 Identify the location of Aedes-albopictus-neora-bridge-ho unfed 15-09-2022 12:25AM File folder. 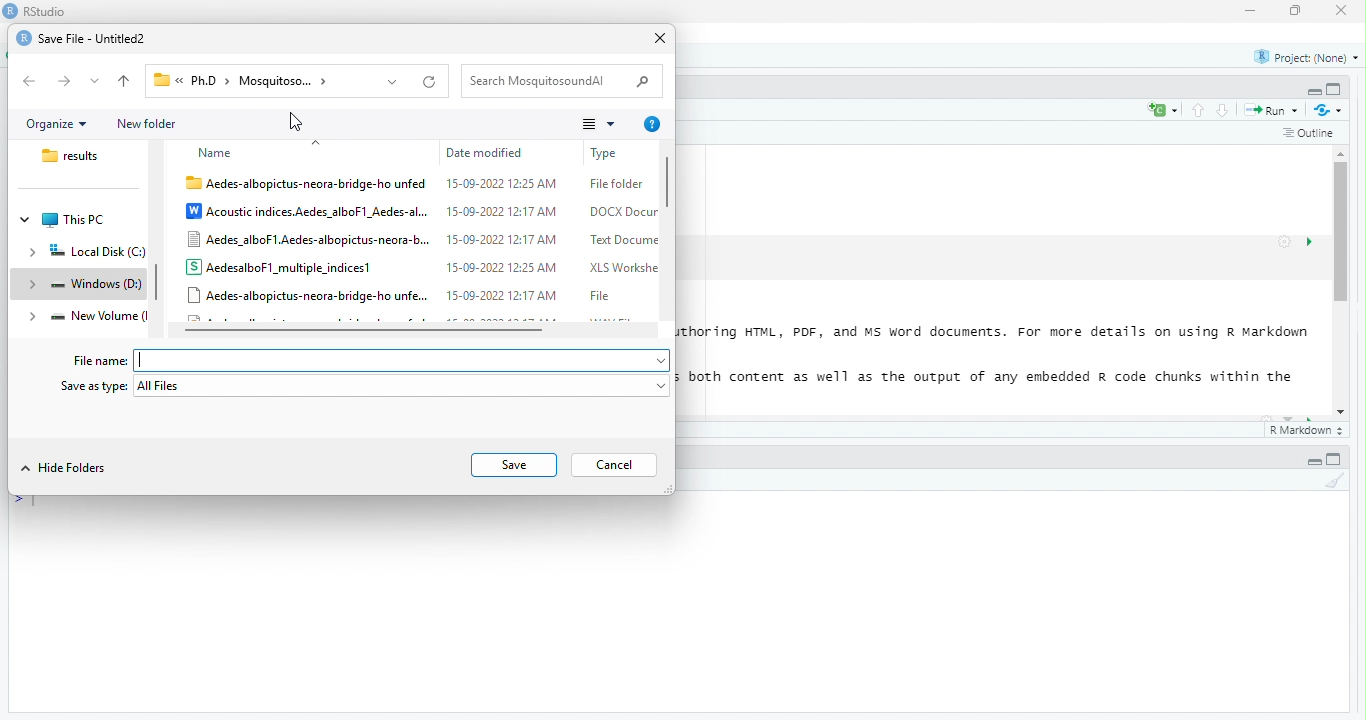
(415, 185).